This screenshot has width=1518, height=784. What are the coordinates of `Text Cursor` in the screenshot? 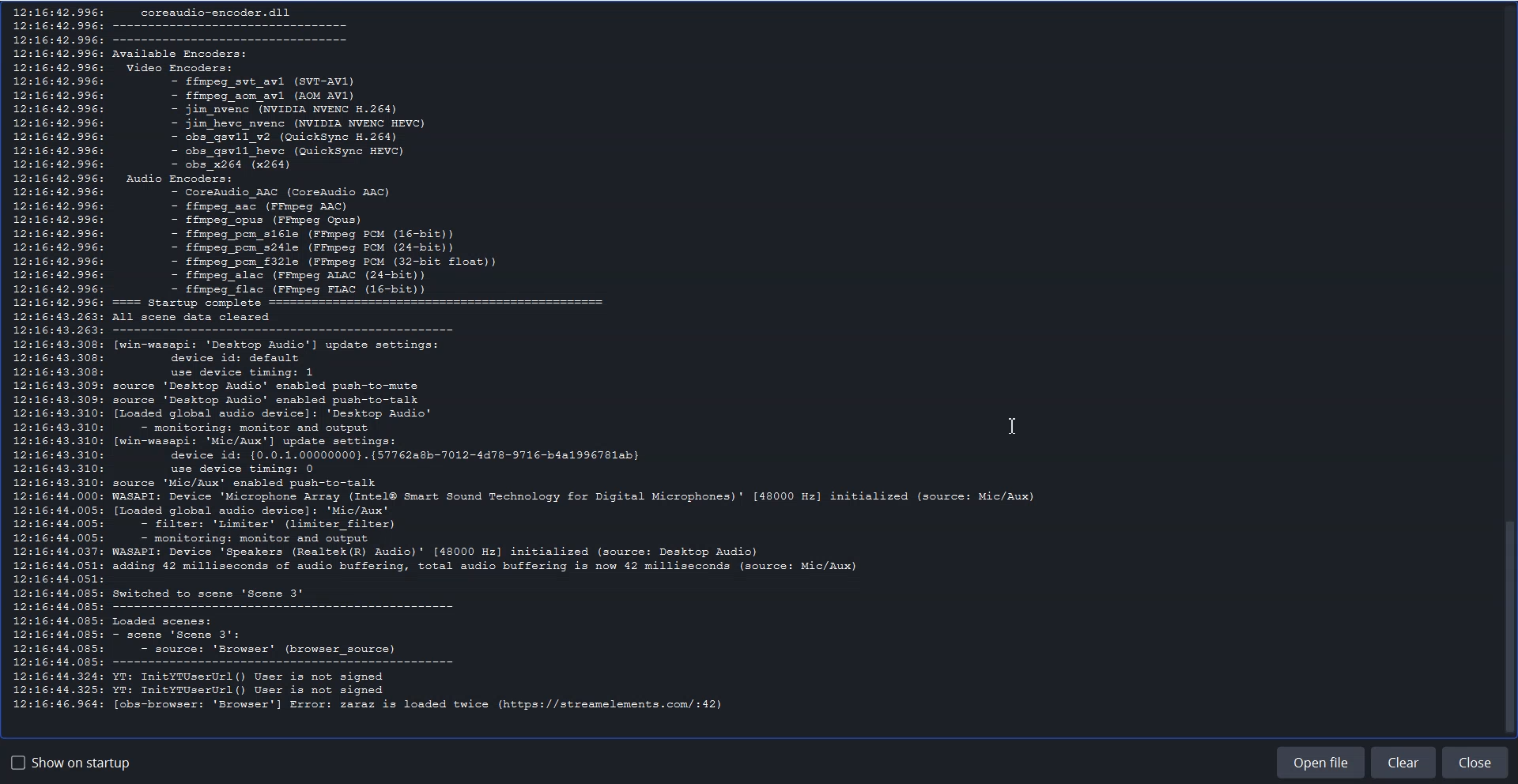 It's located at (1010, 425).